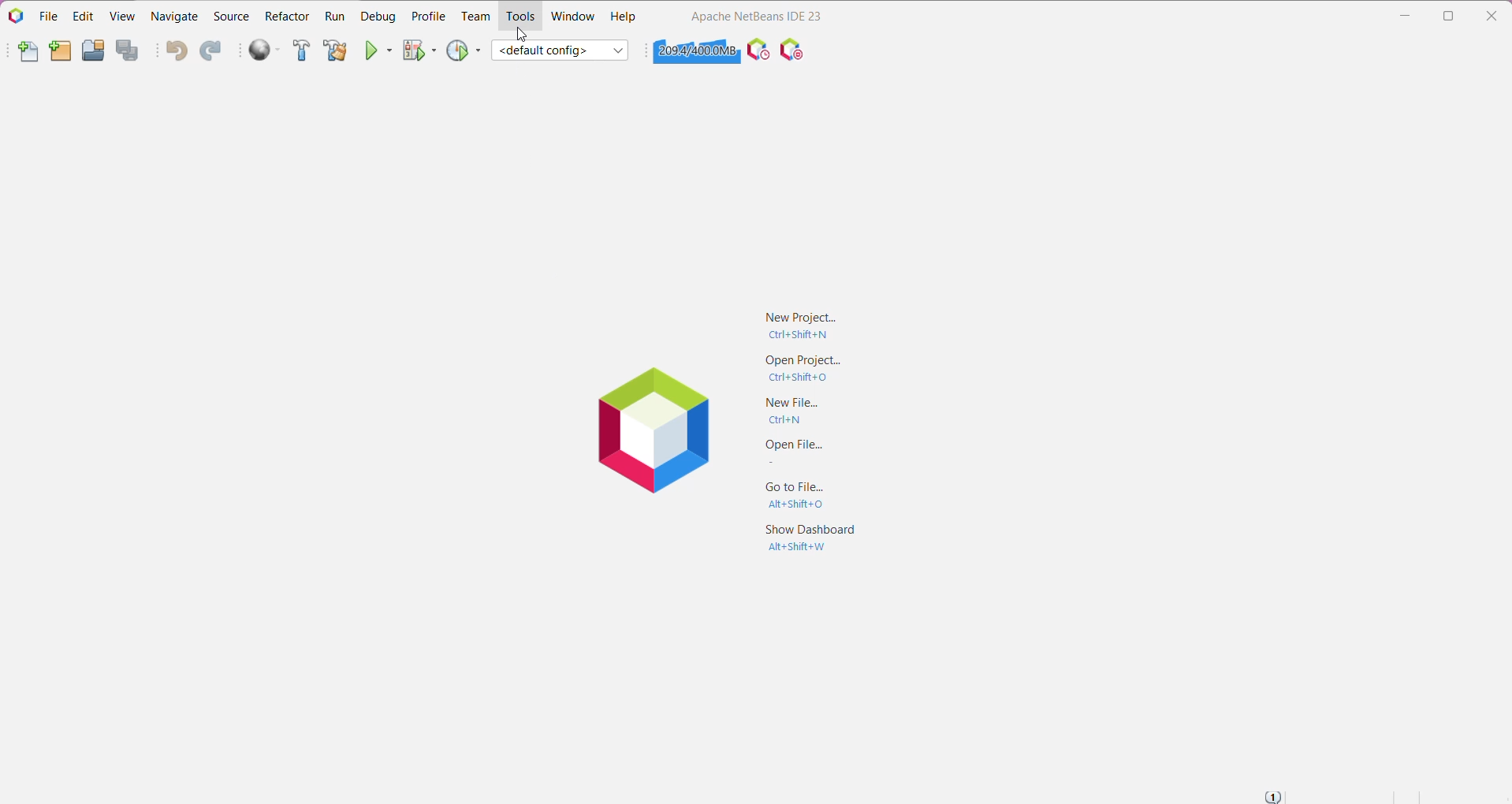 The width and height of the screenshot is (1512, 804). Describe the element at coordinates (1451, 16) in the screenshot. I see `Restore Down` at that location.